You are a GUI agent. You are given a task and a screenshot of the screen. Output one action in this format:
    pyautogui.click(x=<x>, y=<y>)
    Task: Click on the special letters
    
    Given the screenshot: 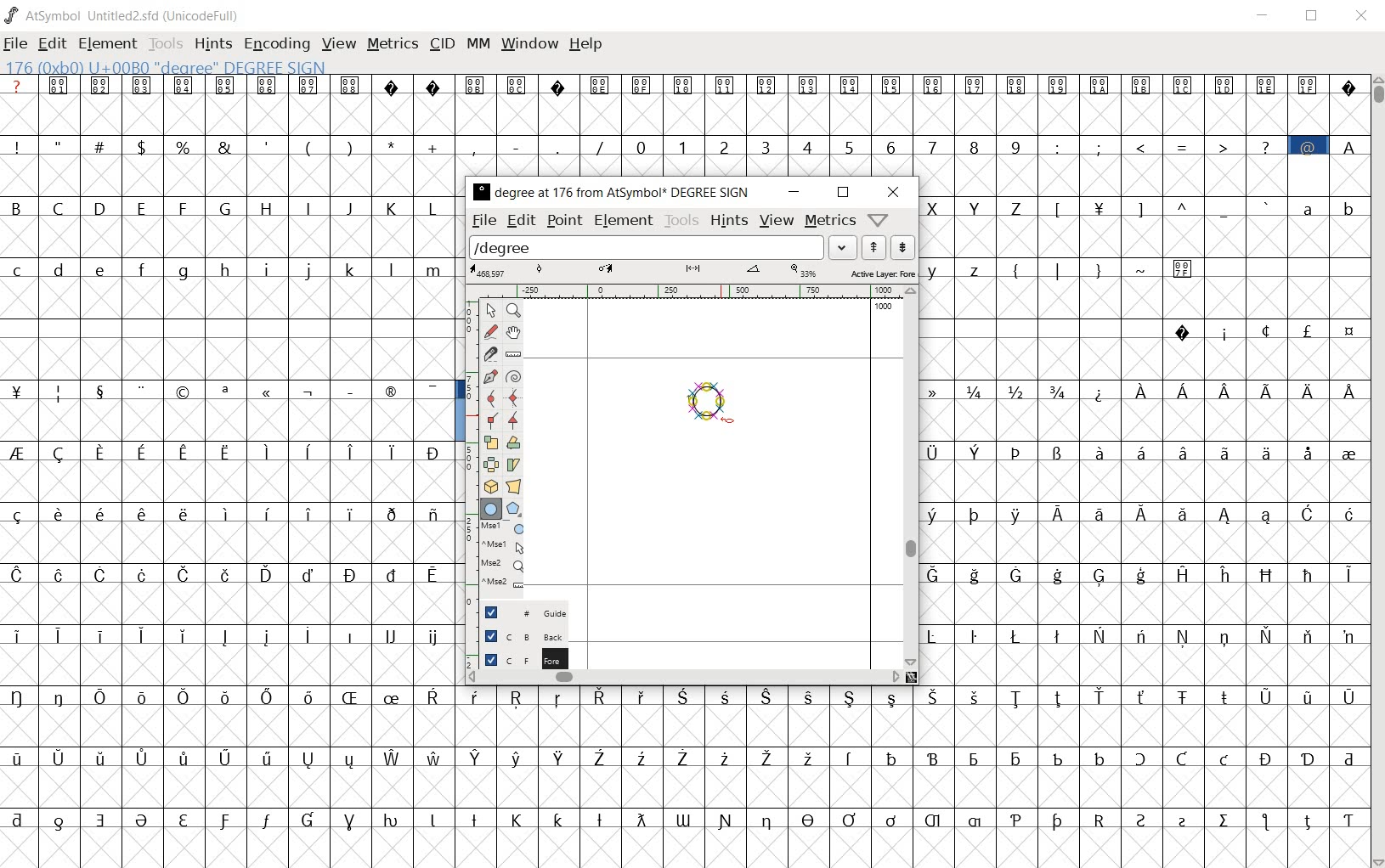 What is the action you would take?
    pyautogui.click(x=1140, y=573)
    